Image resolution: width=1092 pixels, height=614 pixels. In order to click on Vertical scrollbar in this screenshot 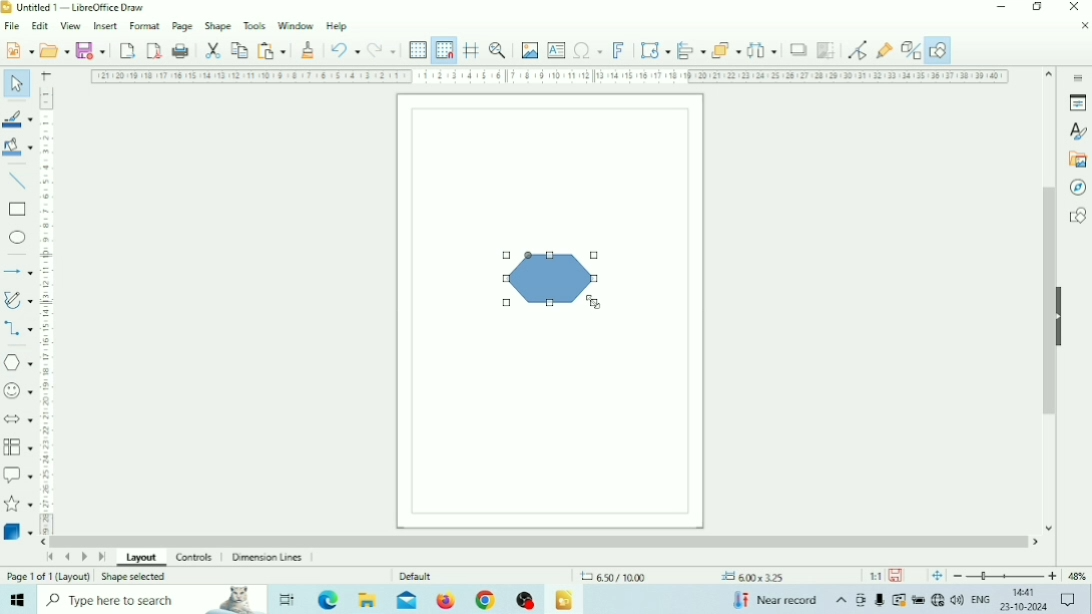, I will do `click(1049, 301)`.